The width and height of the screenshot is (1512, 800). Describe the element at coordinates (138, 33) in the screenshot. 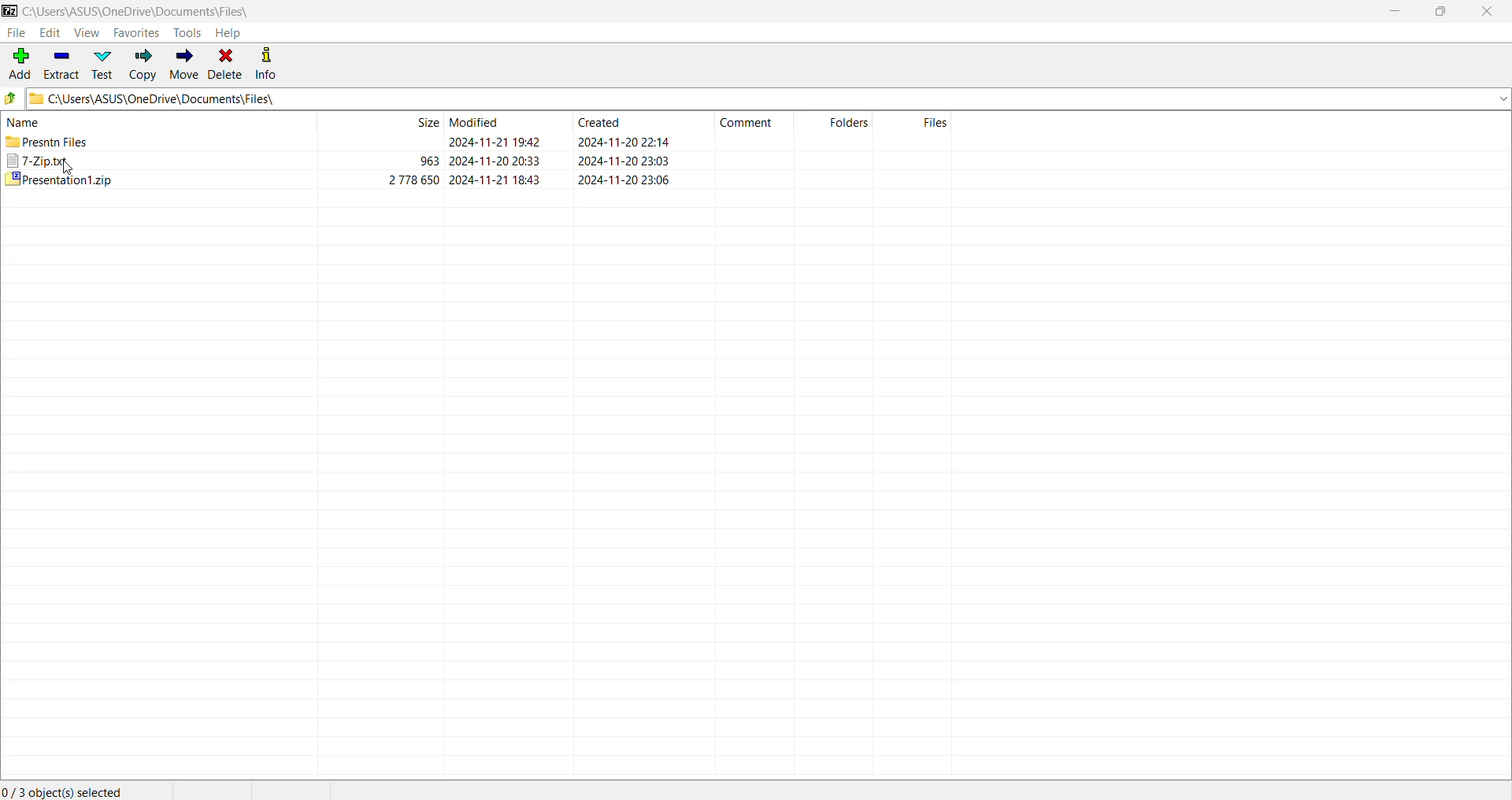

I see `Favorites` at that location.